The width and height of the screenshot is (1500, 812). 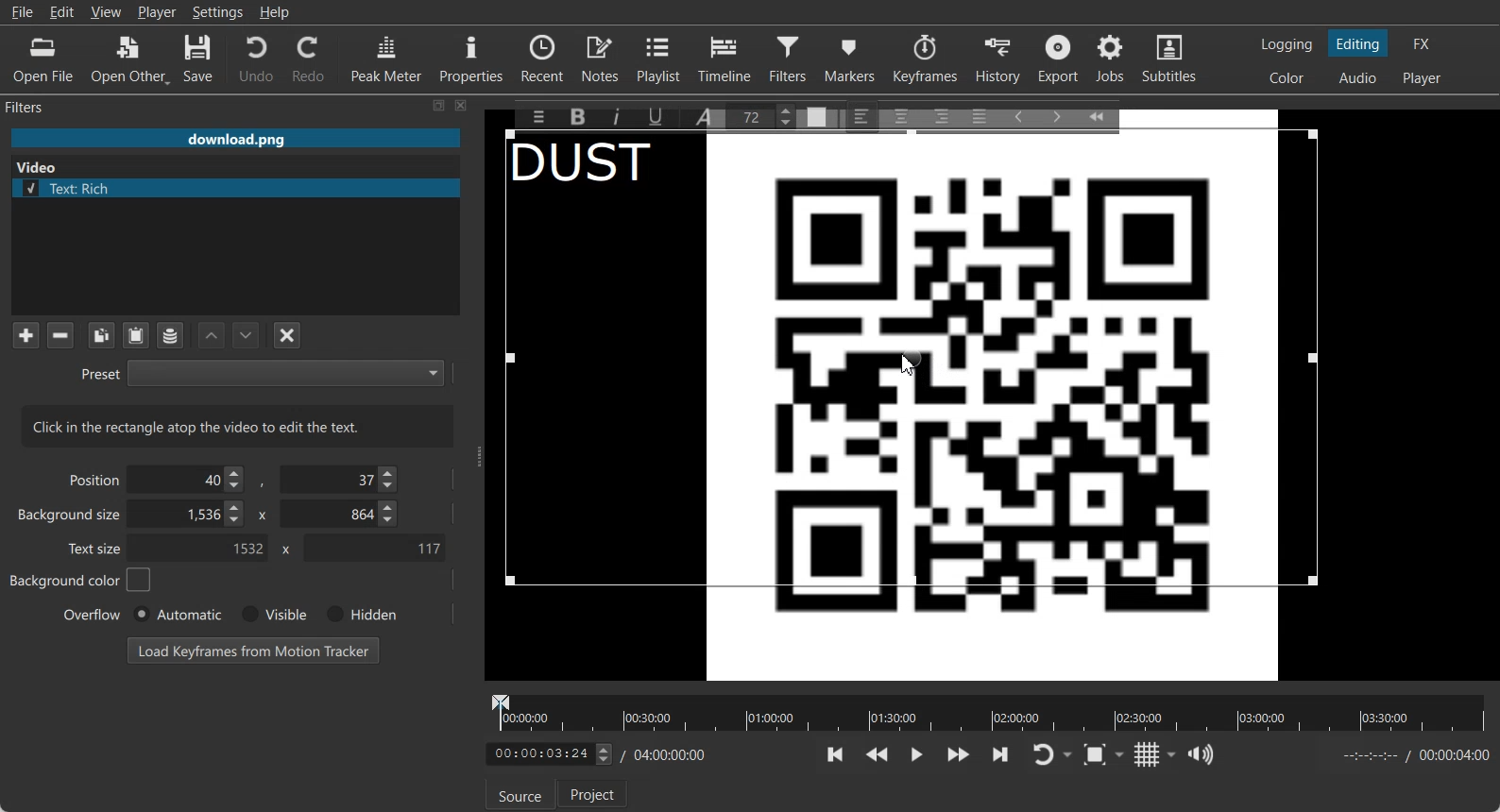 What do you see at coordinates (940, 115) in the screenshot?
I see `Right` at bounding box center [940, 115].